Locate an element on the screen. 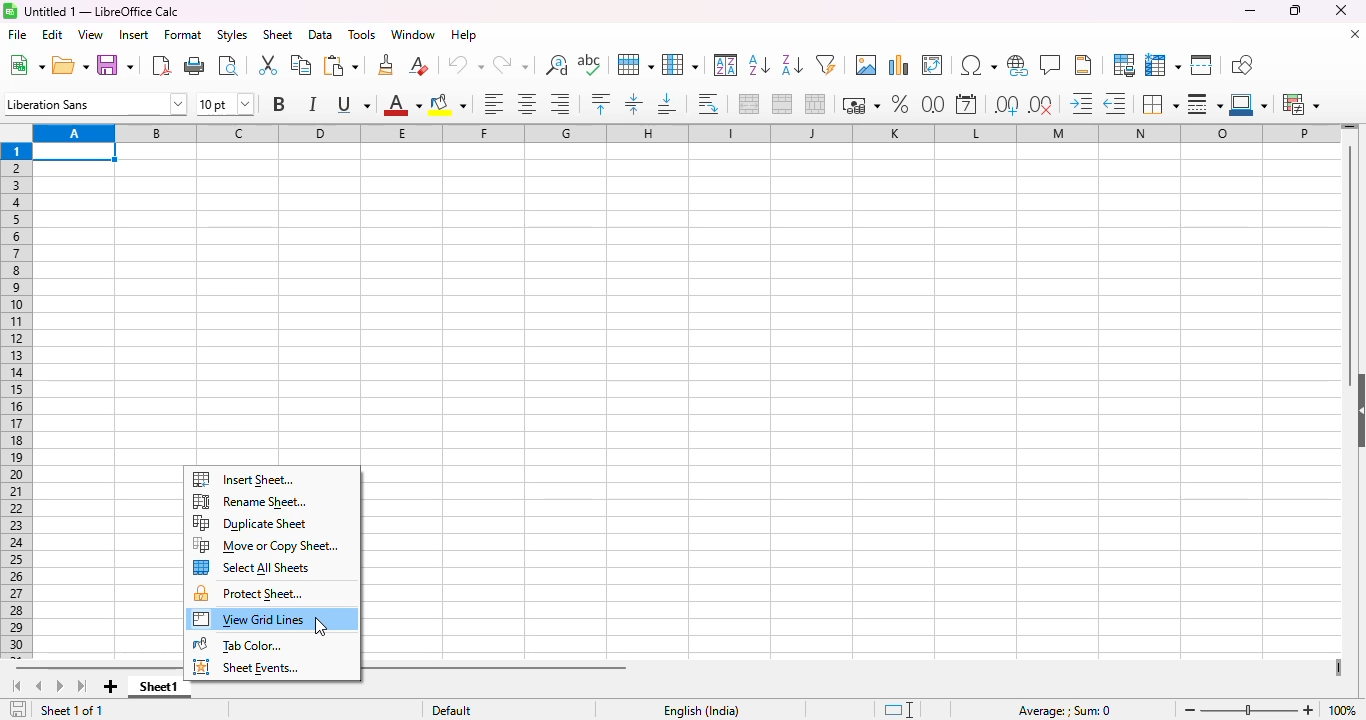 This screenshot has width=1366, height=720. close is located at coordinates (1341, 10).